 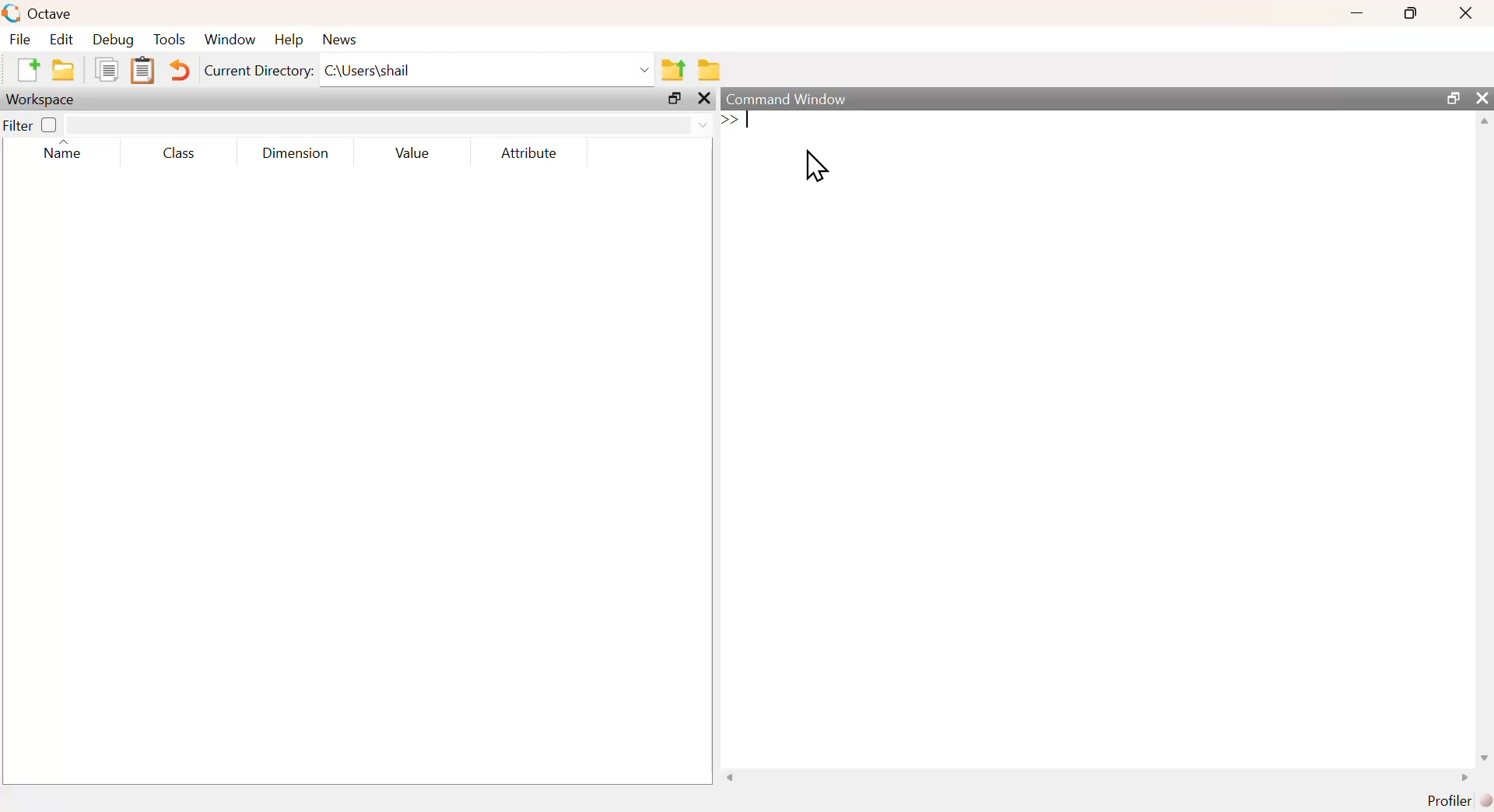 What do you see at coordinates (408, 155) in the screenshot?
I see `value` at bounding box center [408, 155].